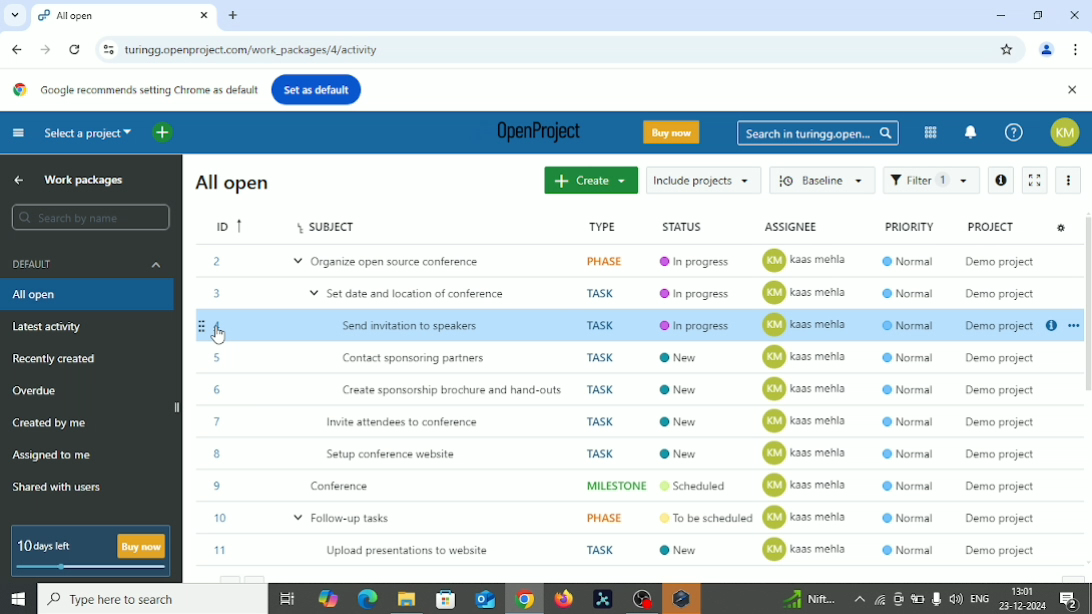 The image size is (1092, 614). What do you see at coordinates (94, 569) in the screenshot?
I see `slide bar indicating how many days left for free version` at bounding box center [94, 569].